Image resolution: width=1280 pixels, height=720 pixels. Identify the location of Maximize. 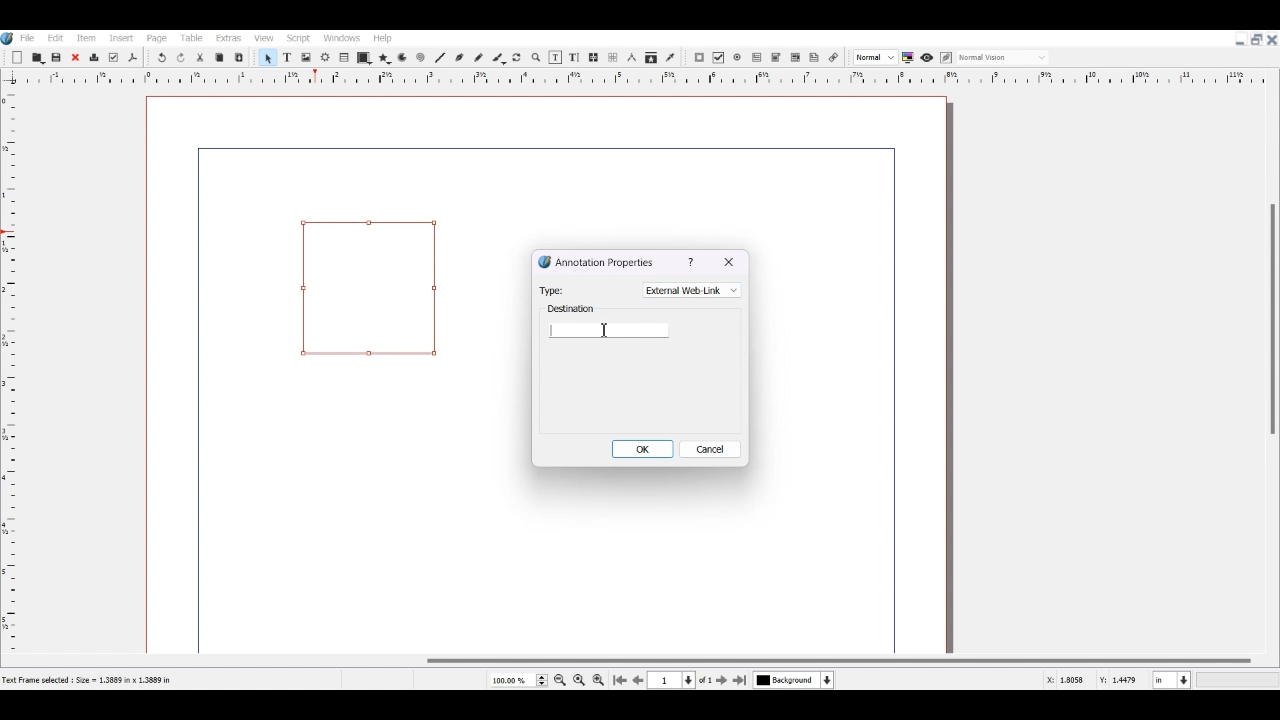
(1256, 38).